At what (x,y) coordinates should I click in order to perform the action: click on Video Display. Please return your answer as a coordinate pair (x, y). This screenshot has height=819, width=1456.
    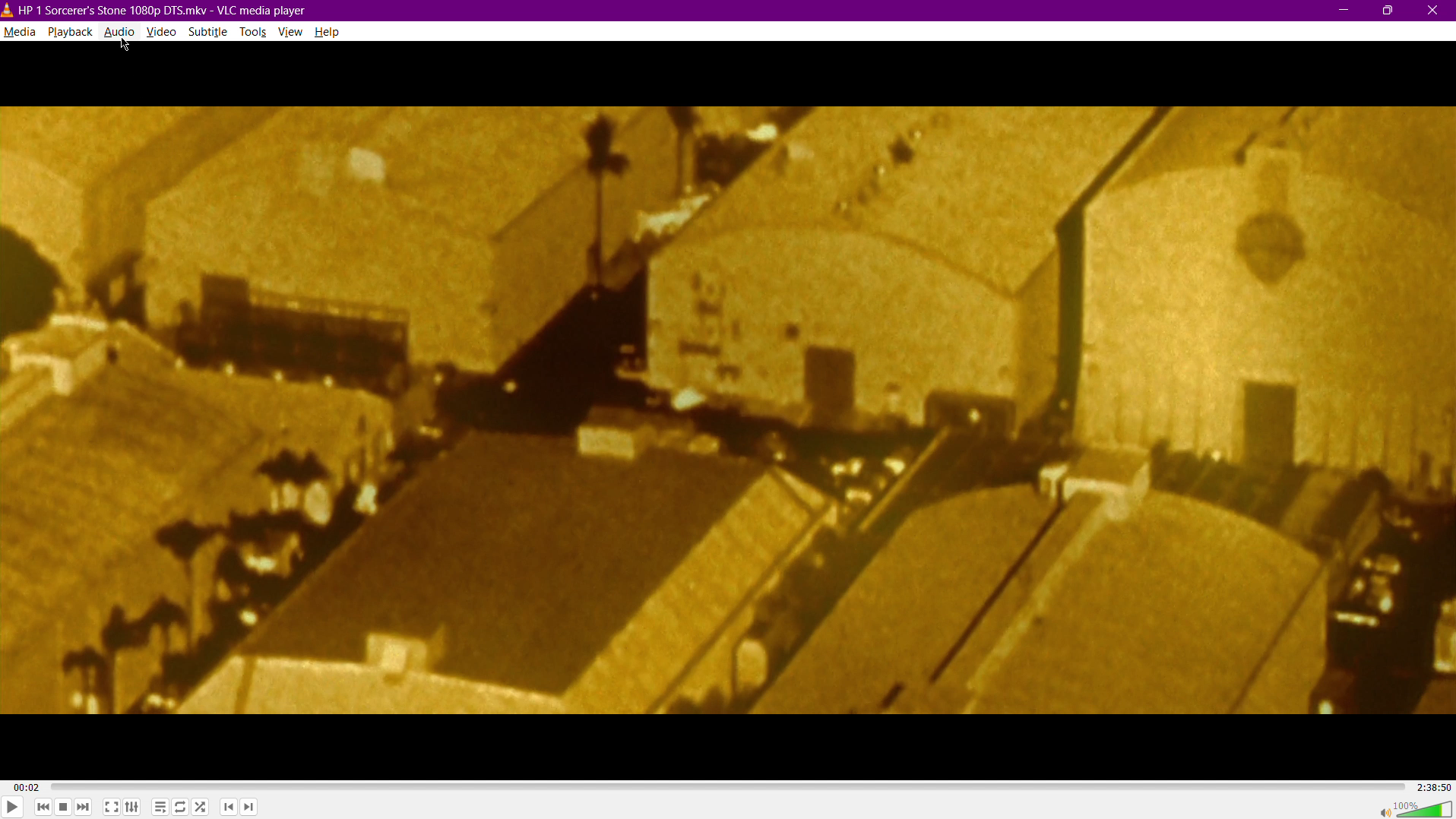
    Looking at the image, I should click on (729, 411).